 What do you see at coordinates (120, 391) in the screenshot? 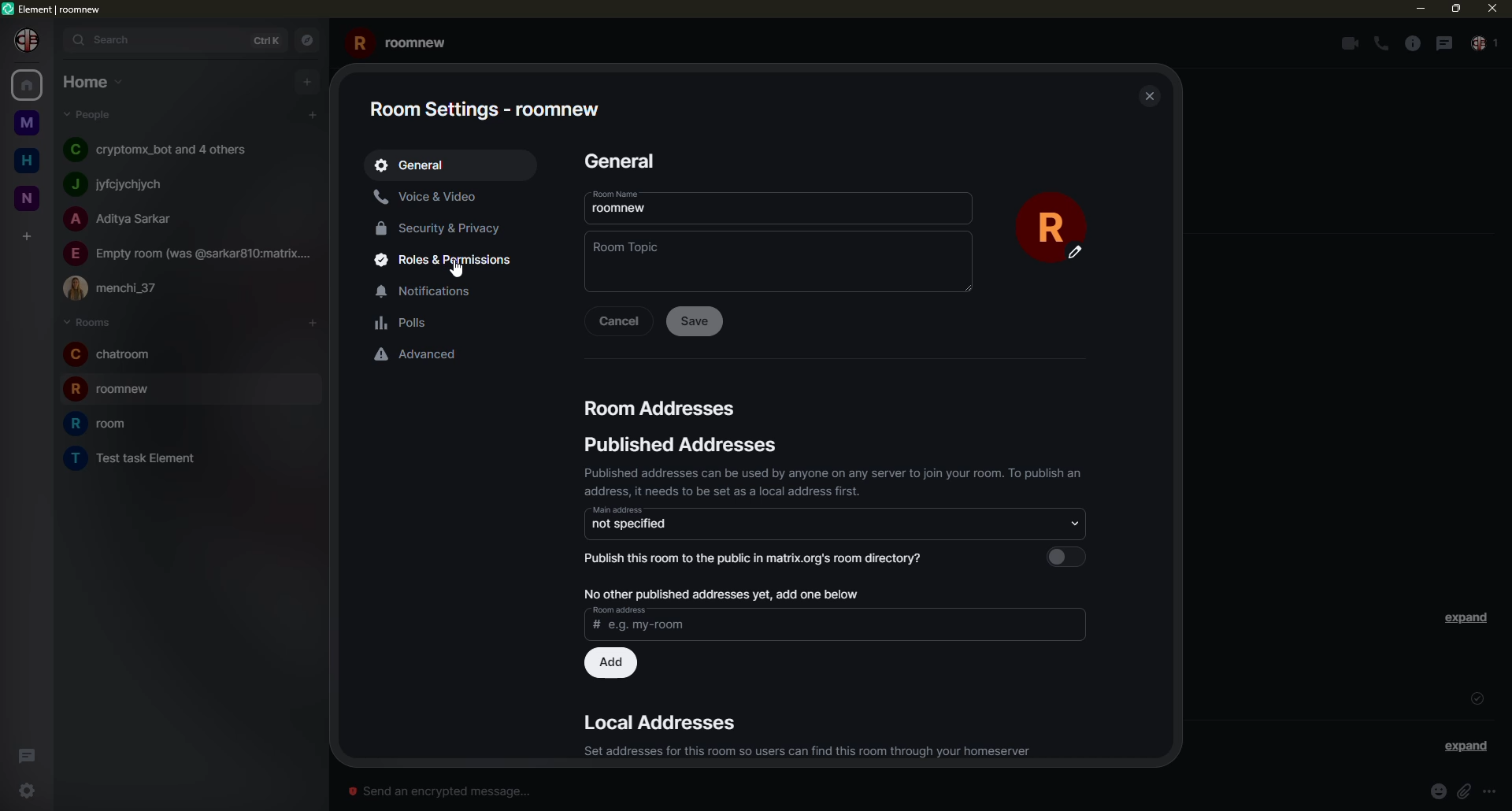
I see `room` at bounding box center [120, 391].